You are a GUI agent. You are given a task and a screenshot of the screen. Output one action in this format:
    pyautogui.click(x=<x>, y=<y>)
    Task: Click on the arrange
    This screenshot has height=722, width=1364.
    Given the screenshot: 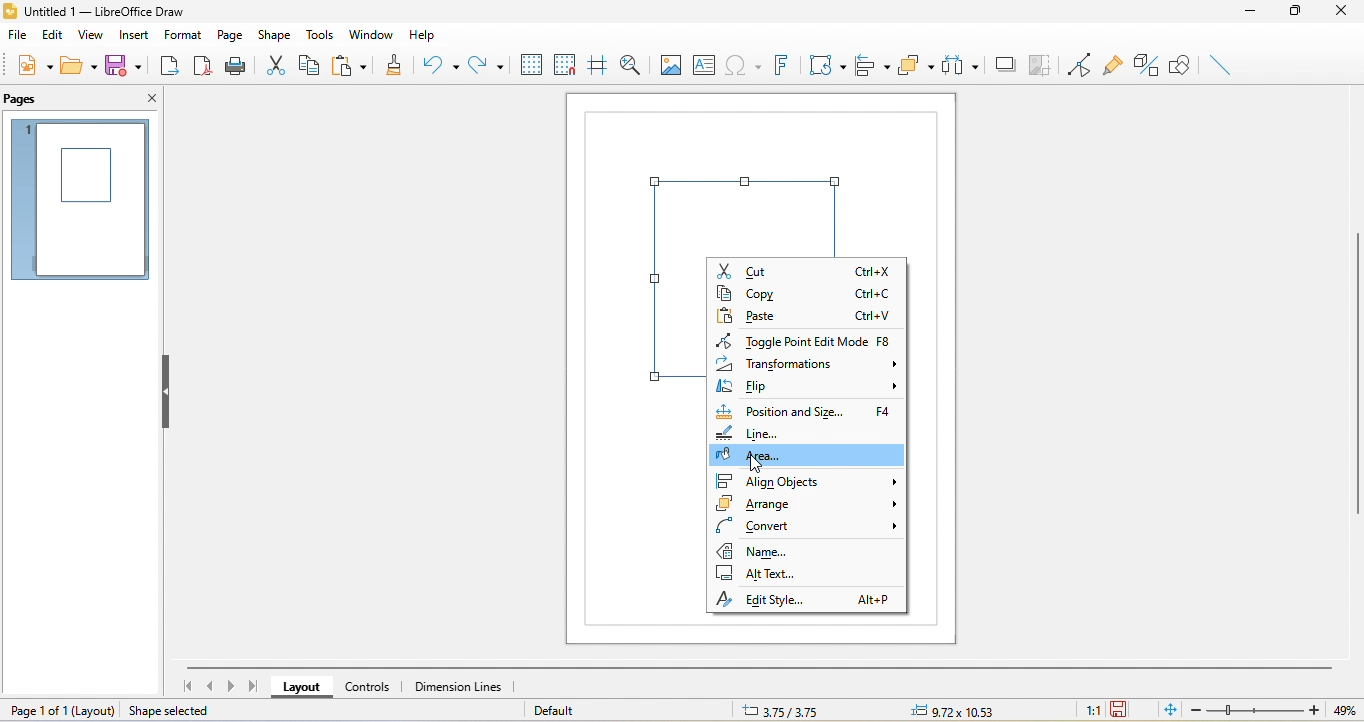 What is the action you would take?
    pyautogui.click(x=918, y=66)
    